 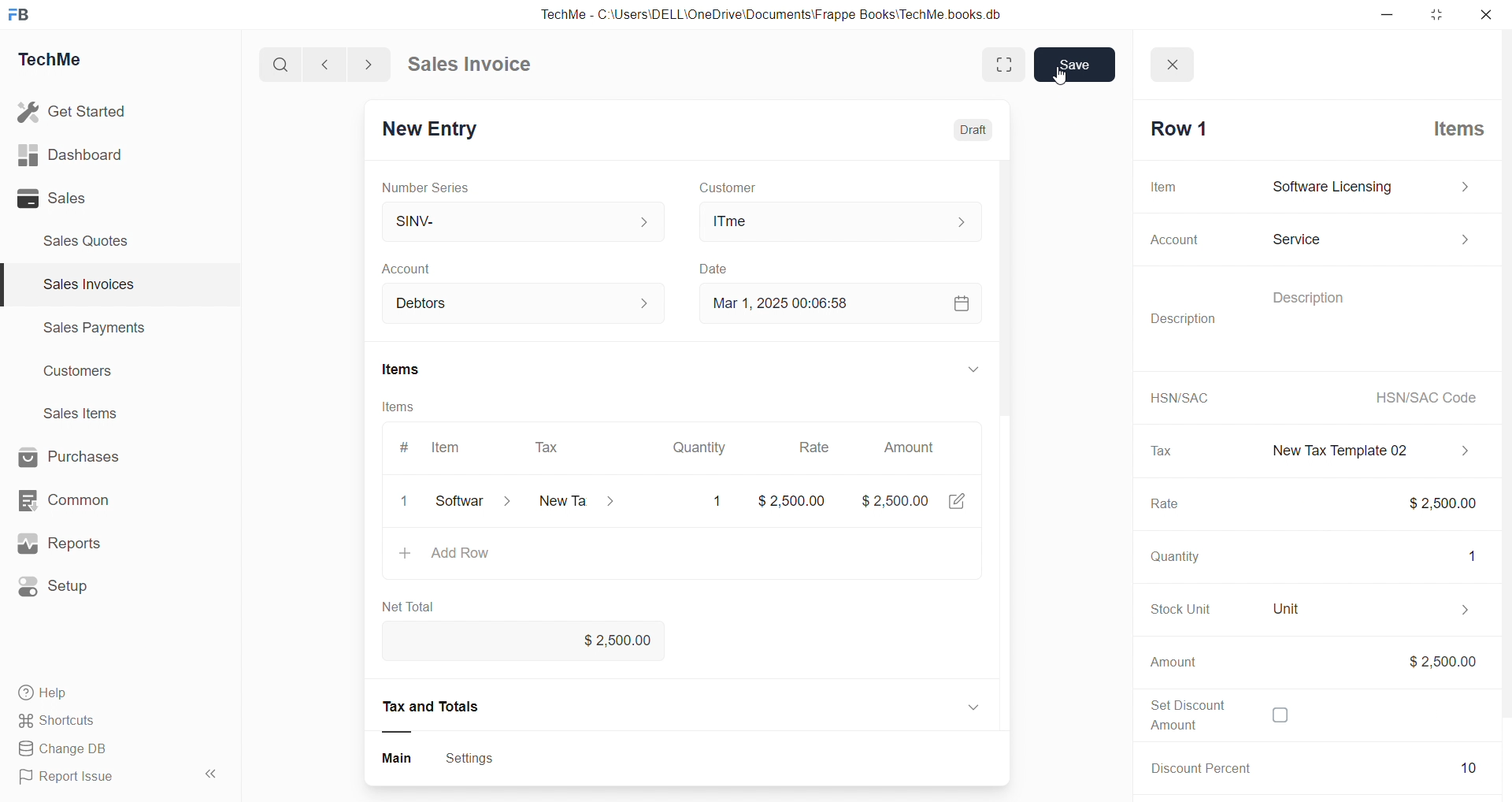 I want to click on 1, so click(x=408, y=502).